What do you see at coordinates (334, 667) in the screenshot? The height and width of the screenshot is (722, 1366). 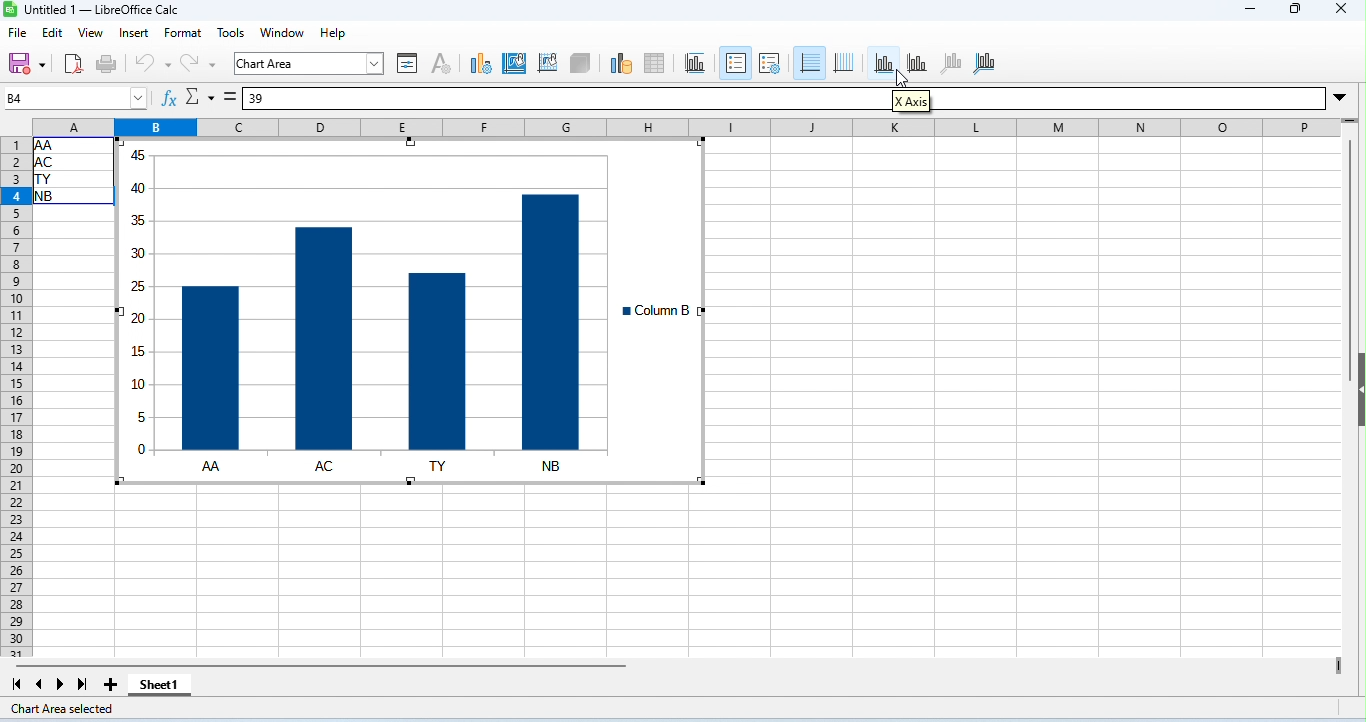 I see `horizonal scroll bar` at bounding box center [334, 667].